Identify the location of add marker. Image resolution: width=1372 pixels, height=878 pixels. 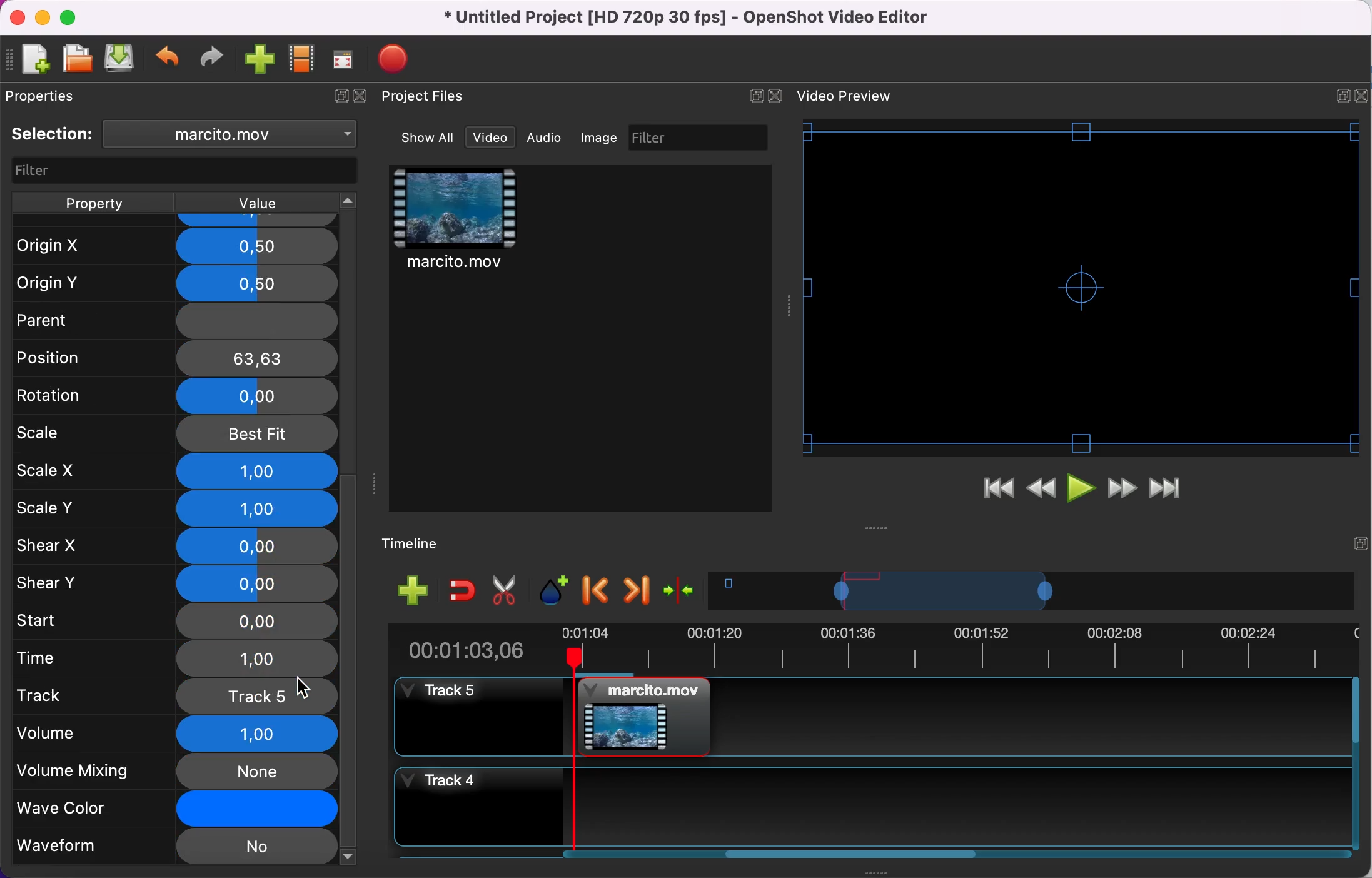
(556, 591).